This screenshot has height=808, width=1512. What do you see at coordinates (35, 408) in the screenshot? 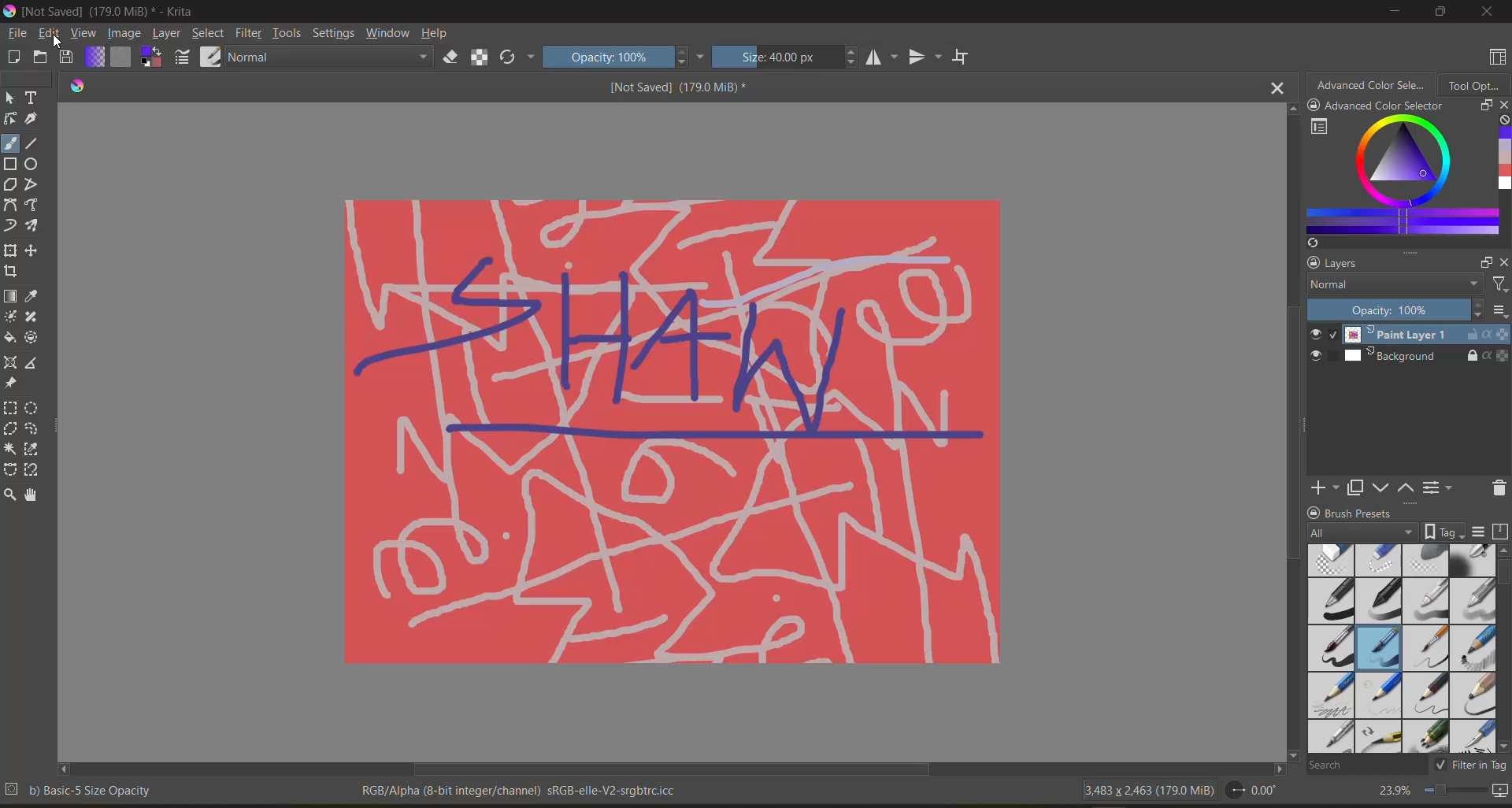
I see `Elliptical selection tool` at bounding box center [35, 408].